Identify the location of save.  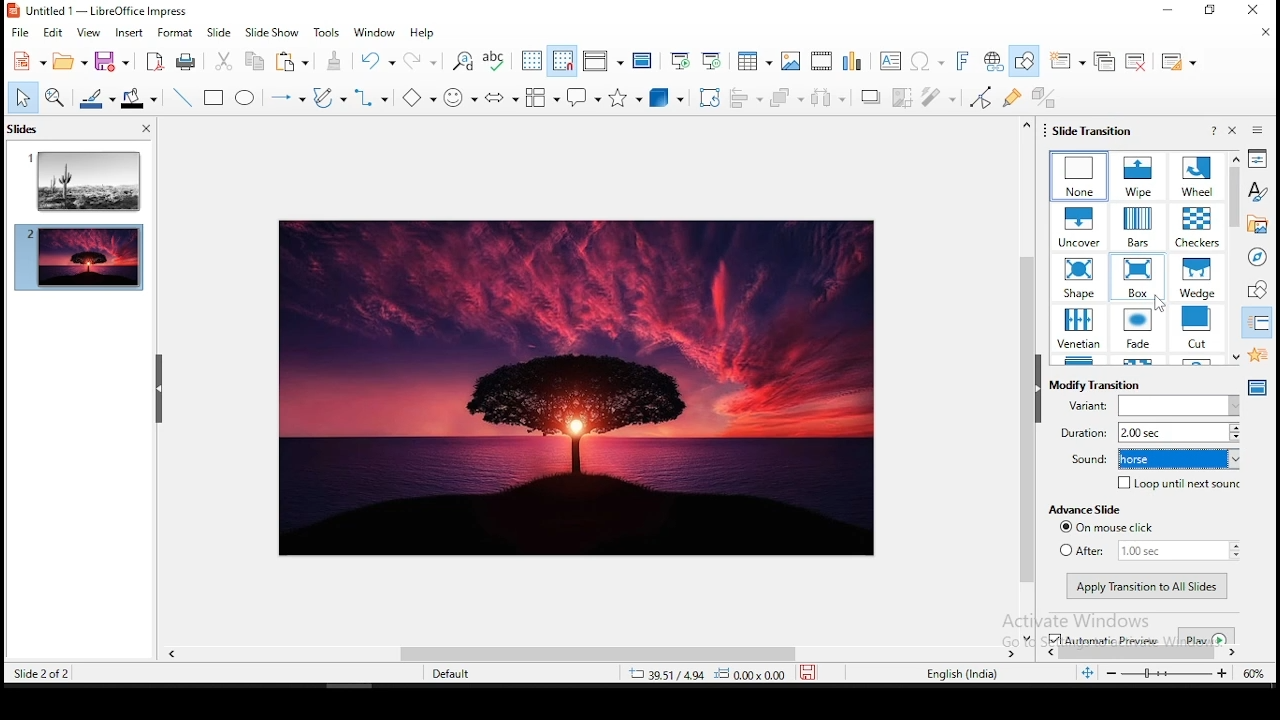
(111, 62).